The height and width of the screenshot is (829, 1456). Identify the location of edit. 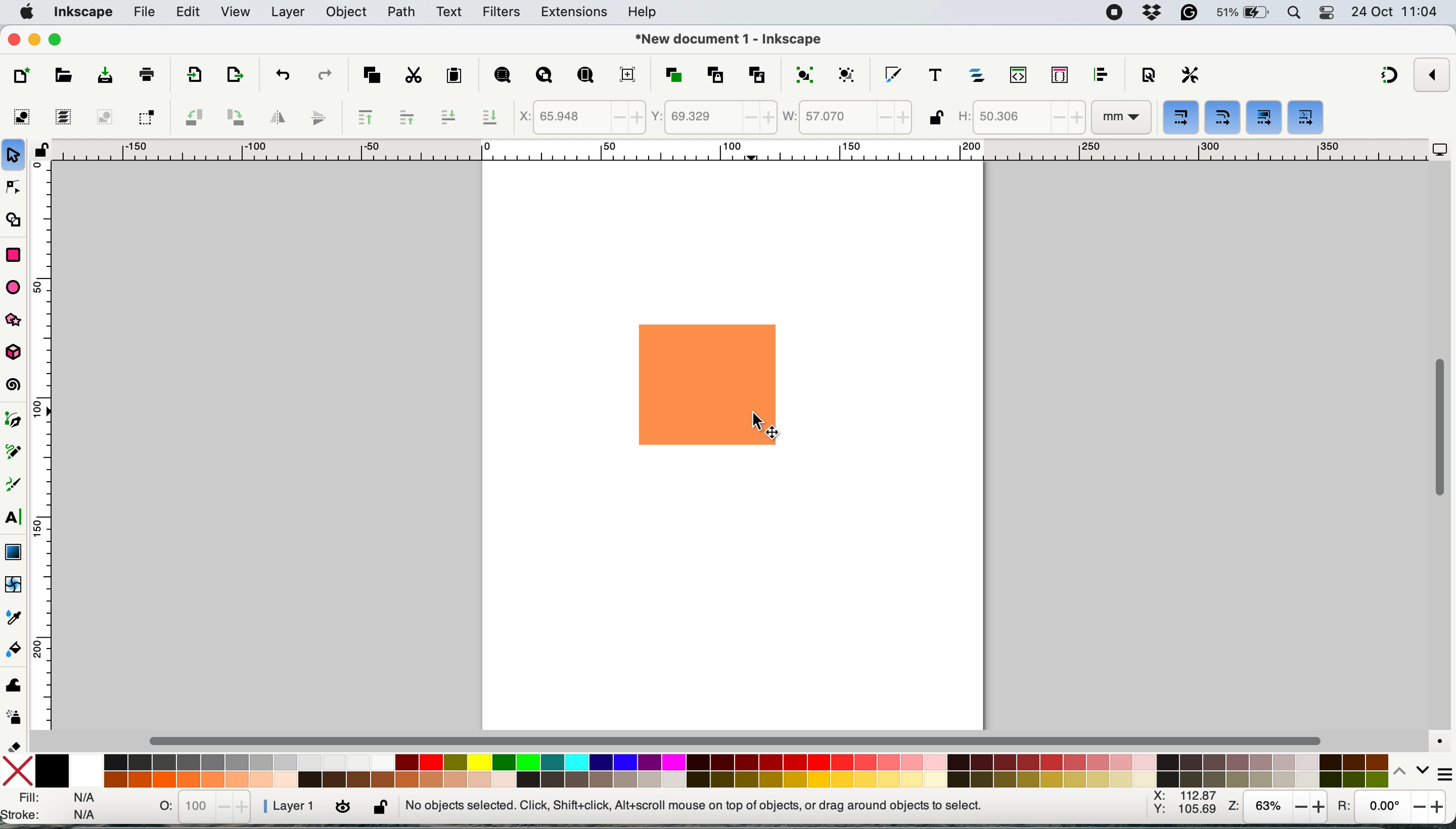
(190, 13).